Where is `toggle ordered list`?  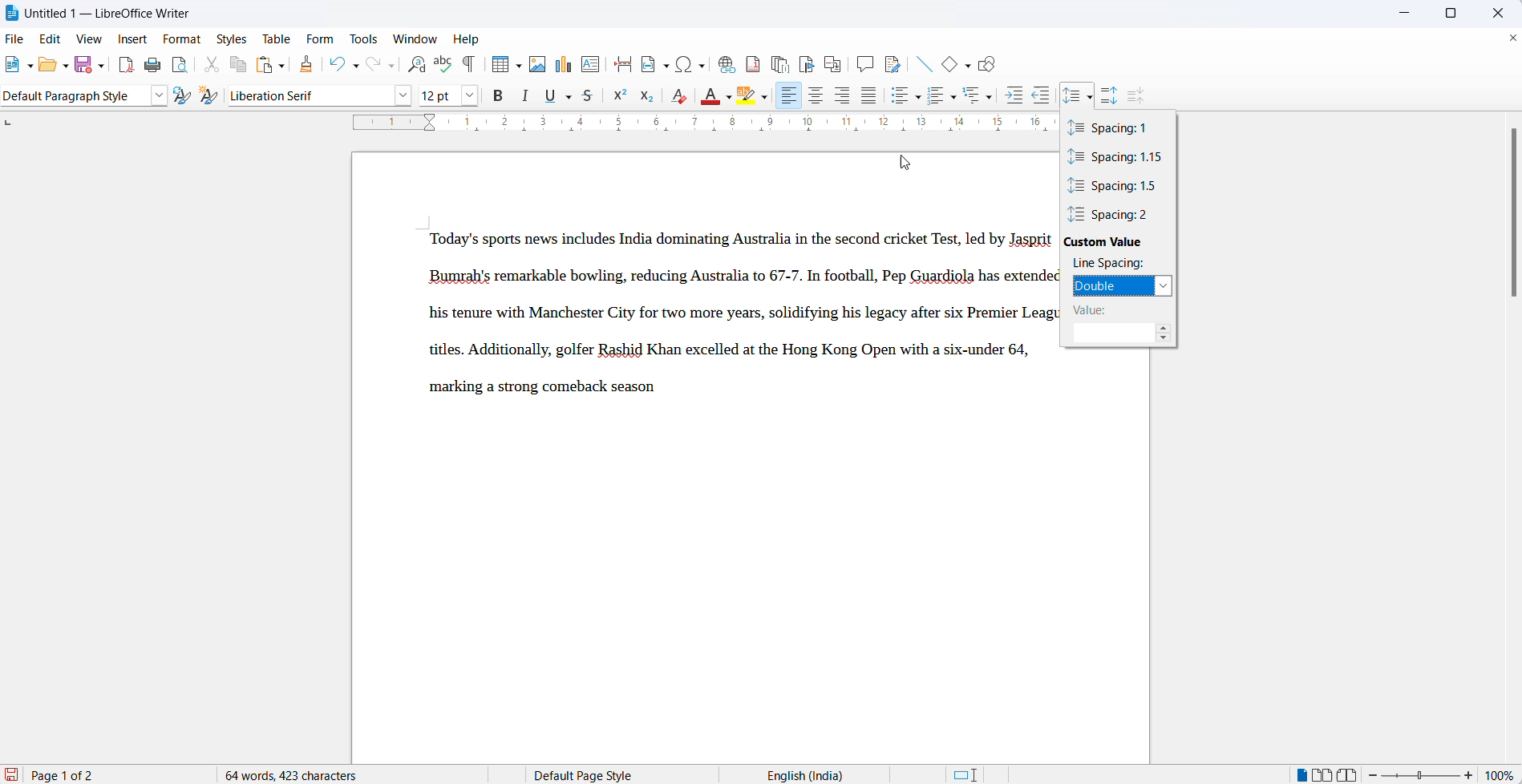 toggle ordered list is located at coordinates (953, 98).